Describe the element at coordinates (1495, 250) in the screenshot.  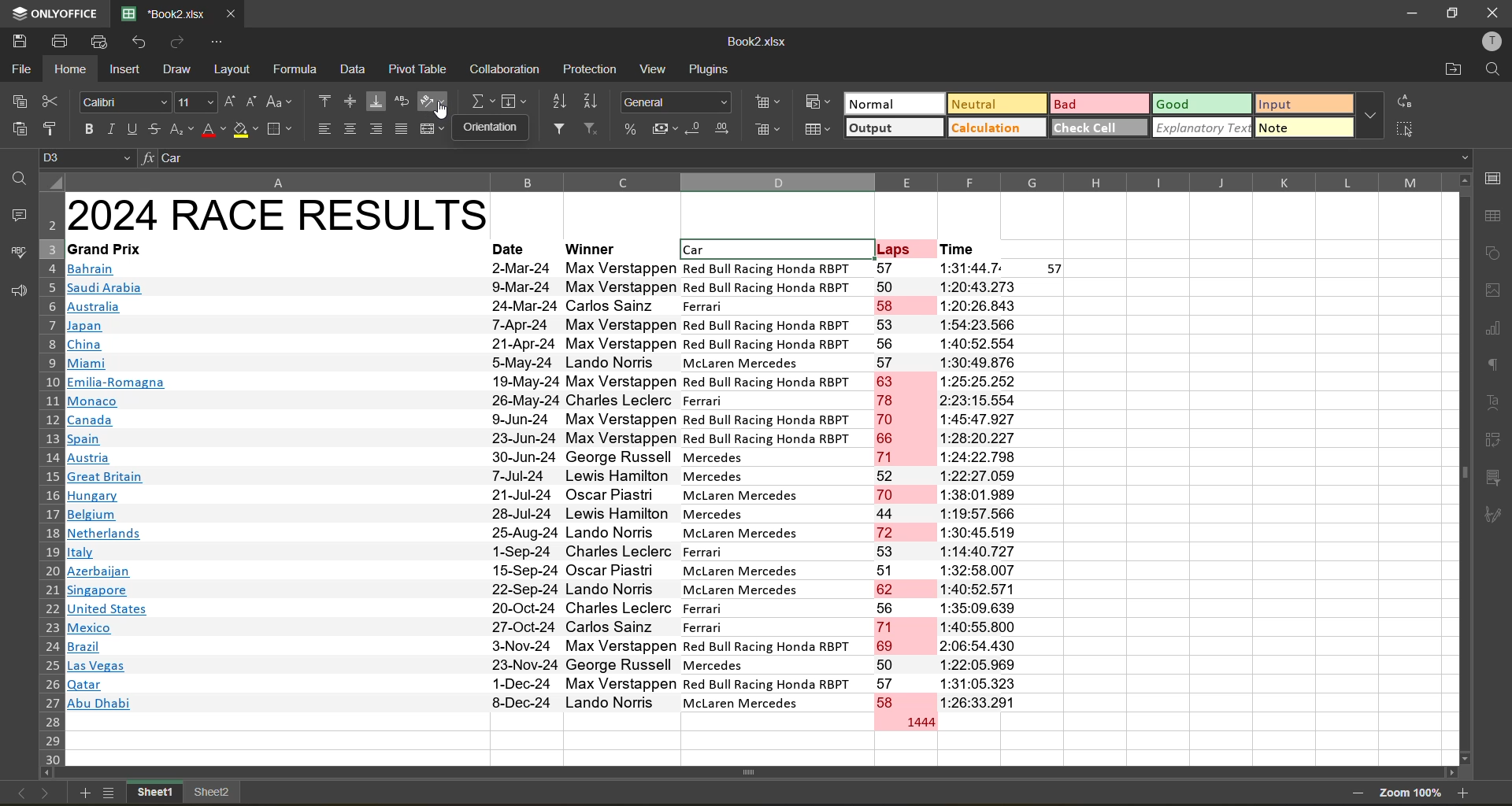
I see `shapes` at that location.